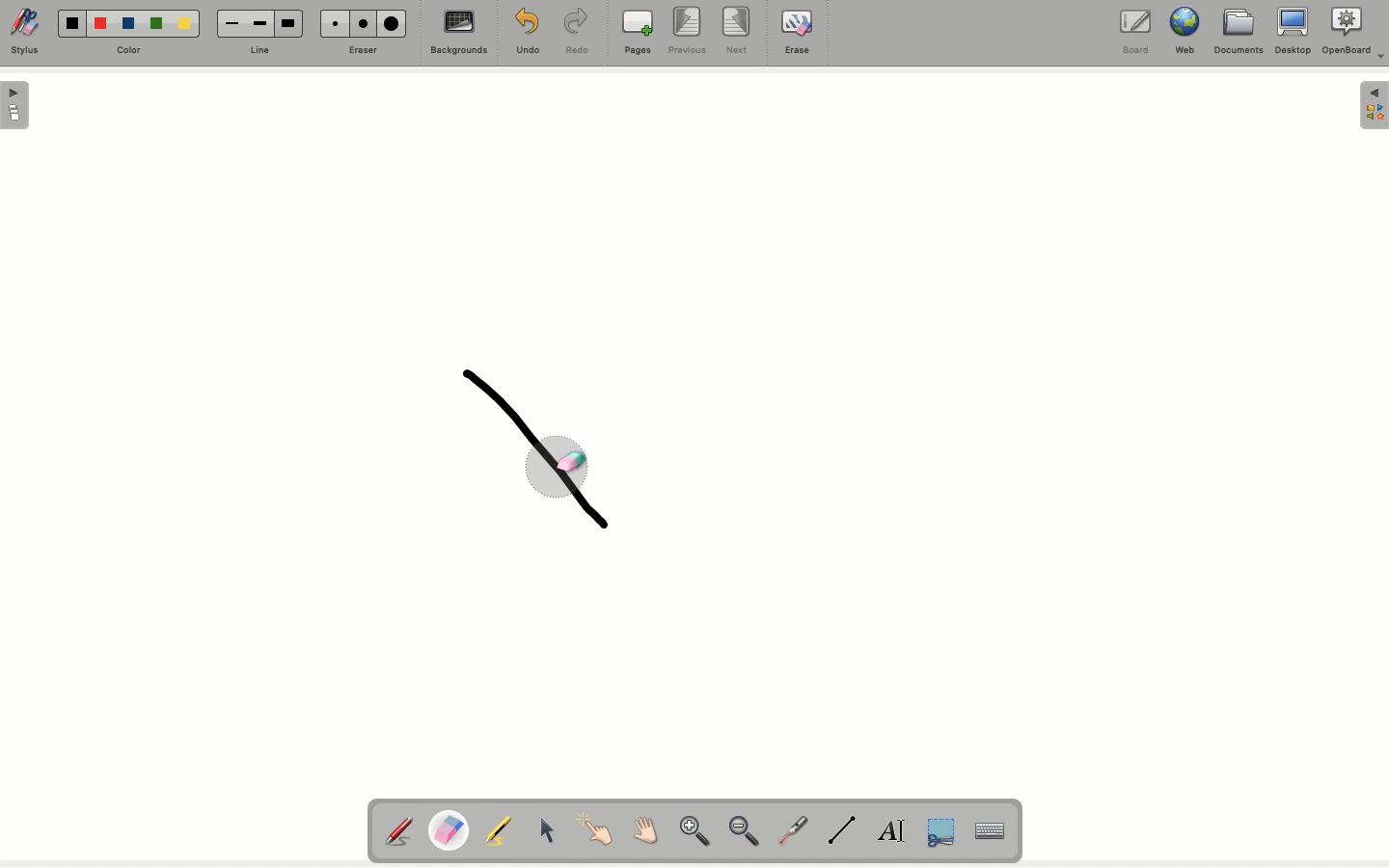  What do you see at coordinates (187, 26) in the screenshot?
I see `Yellow` at bounding box center [187, 26].